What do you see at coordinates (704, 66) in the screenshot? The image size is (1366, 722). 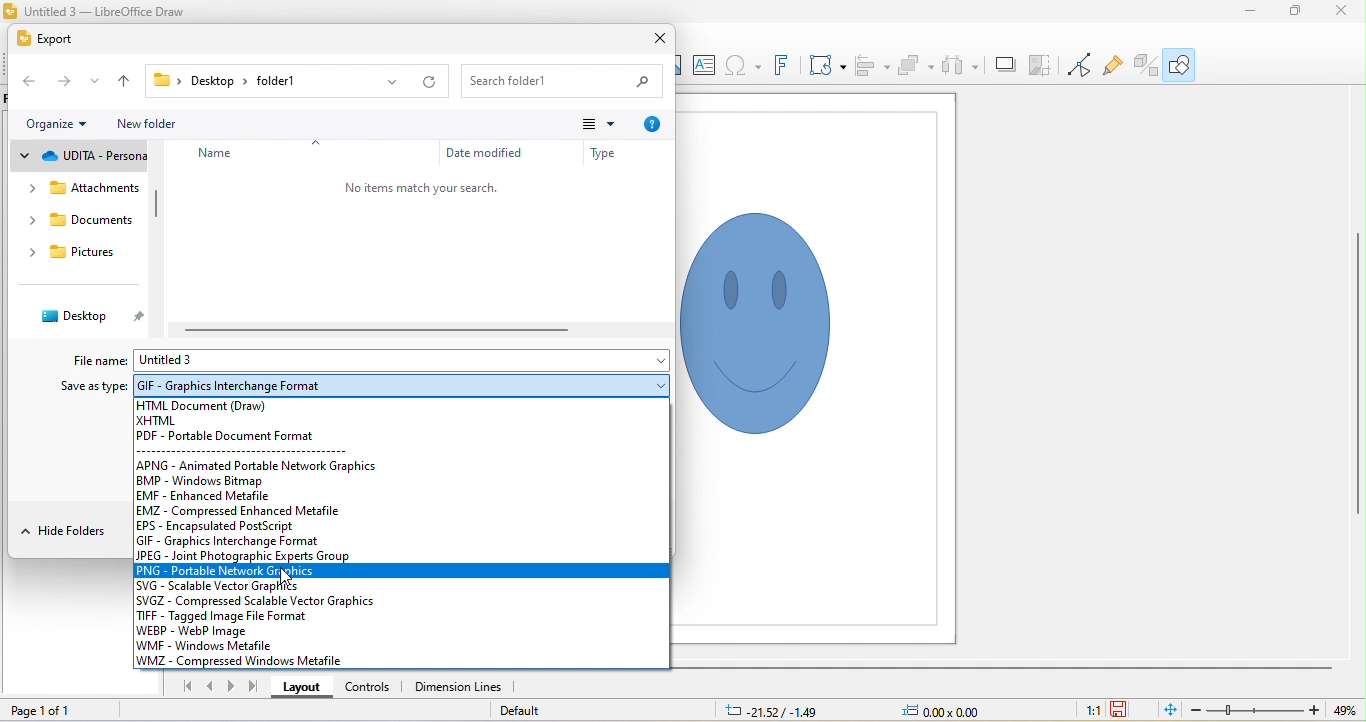 I see `textbox` at bounding box center [704, 66].